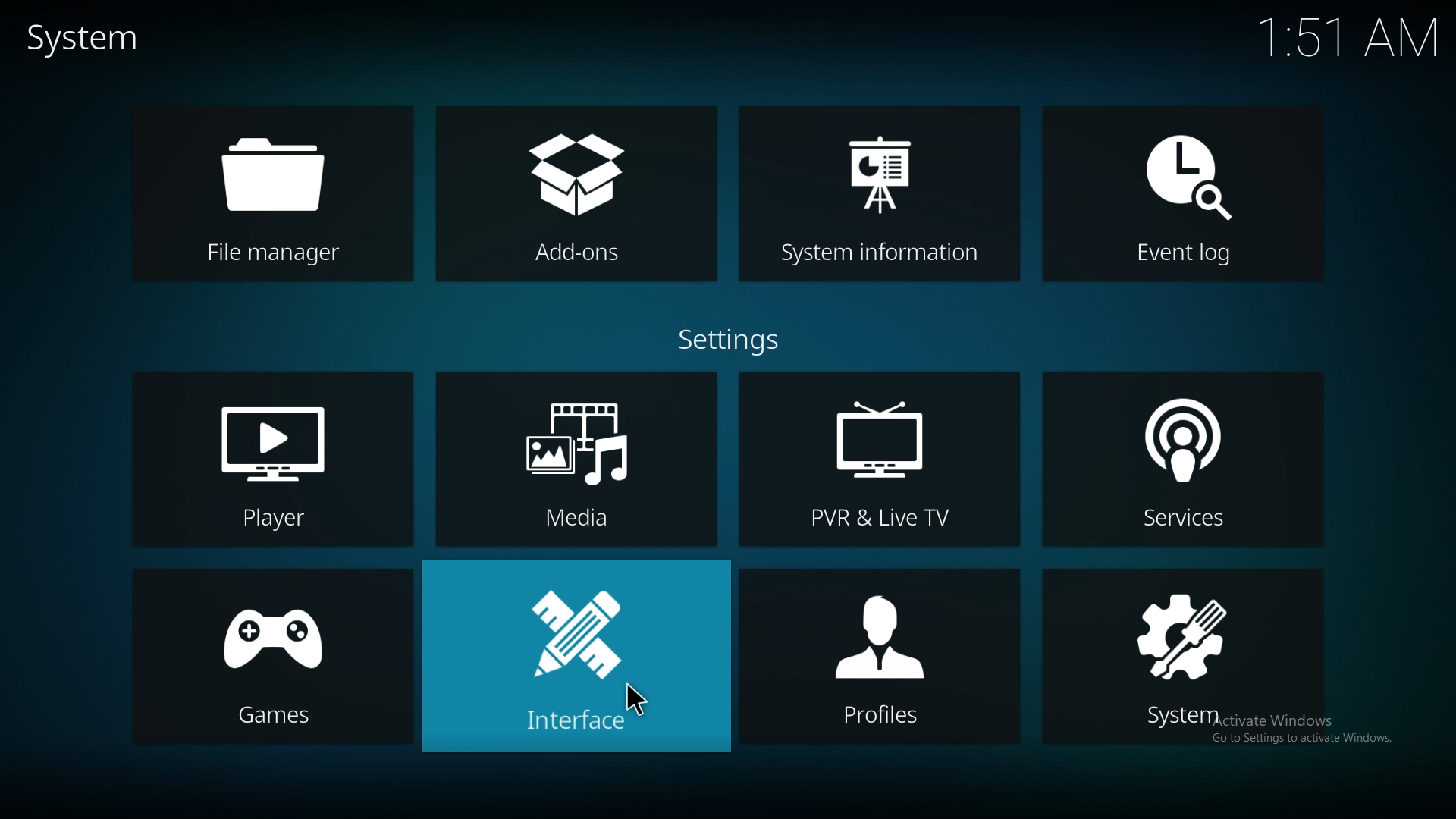 This screenshot has width=1456, height=819. I want to click on Windows., so click(1369, 737).